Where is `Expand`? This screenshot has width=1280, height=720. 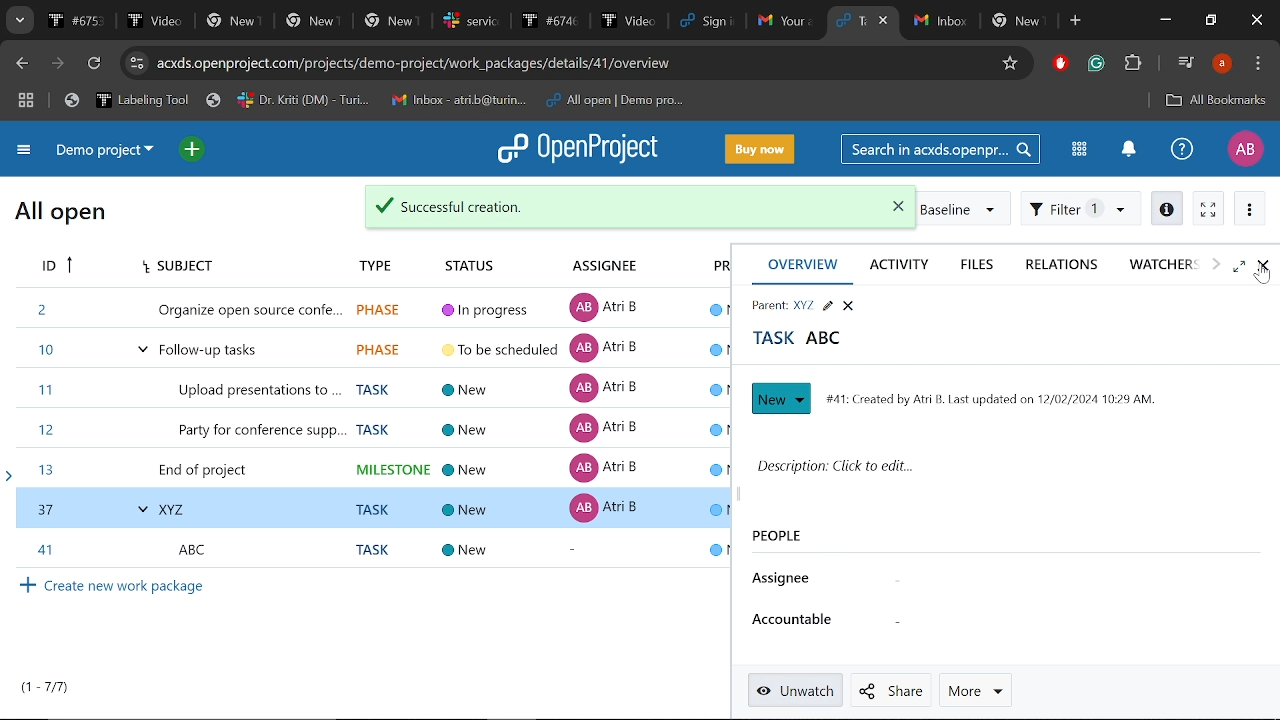
Expand is located at coordinates (1241, 266).